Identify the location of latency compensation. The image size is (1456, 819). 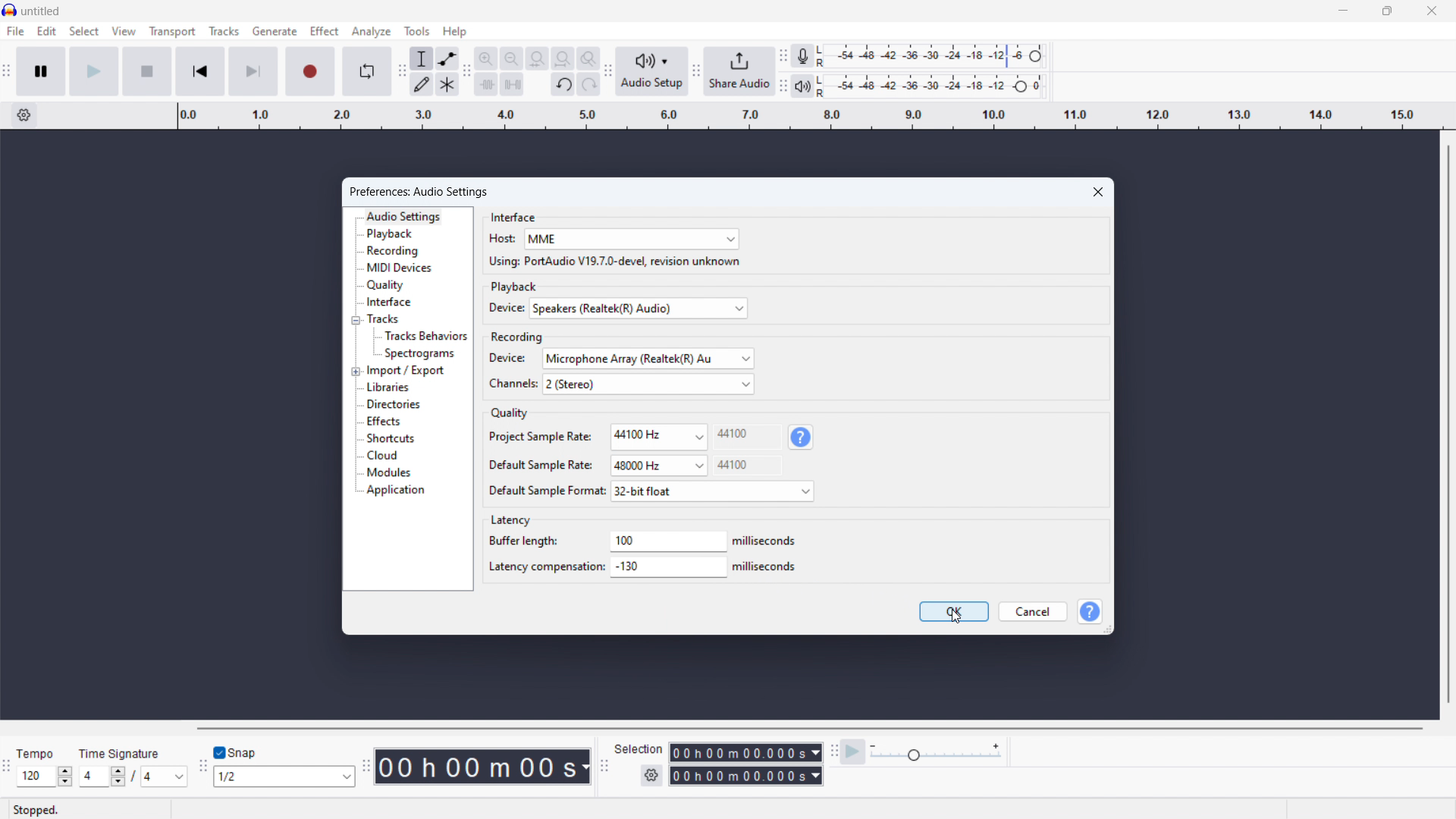
(670, 568).